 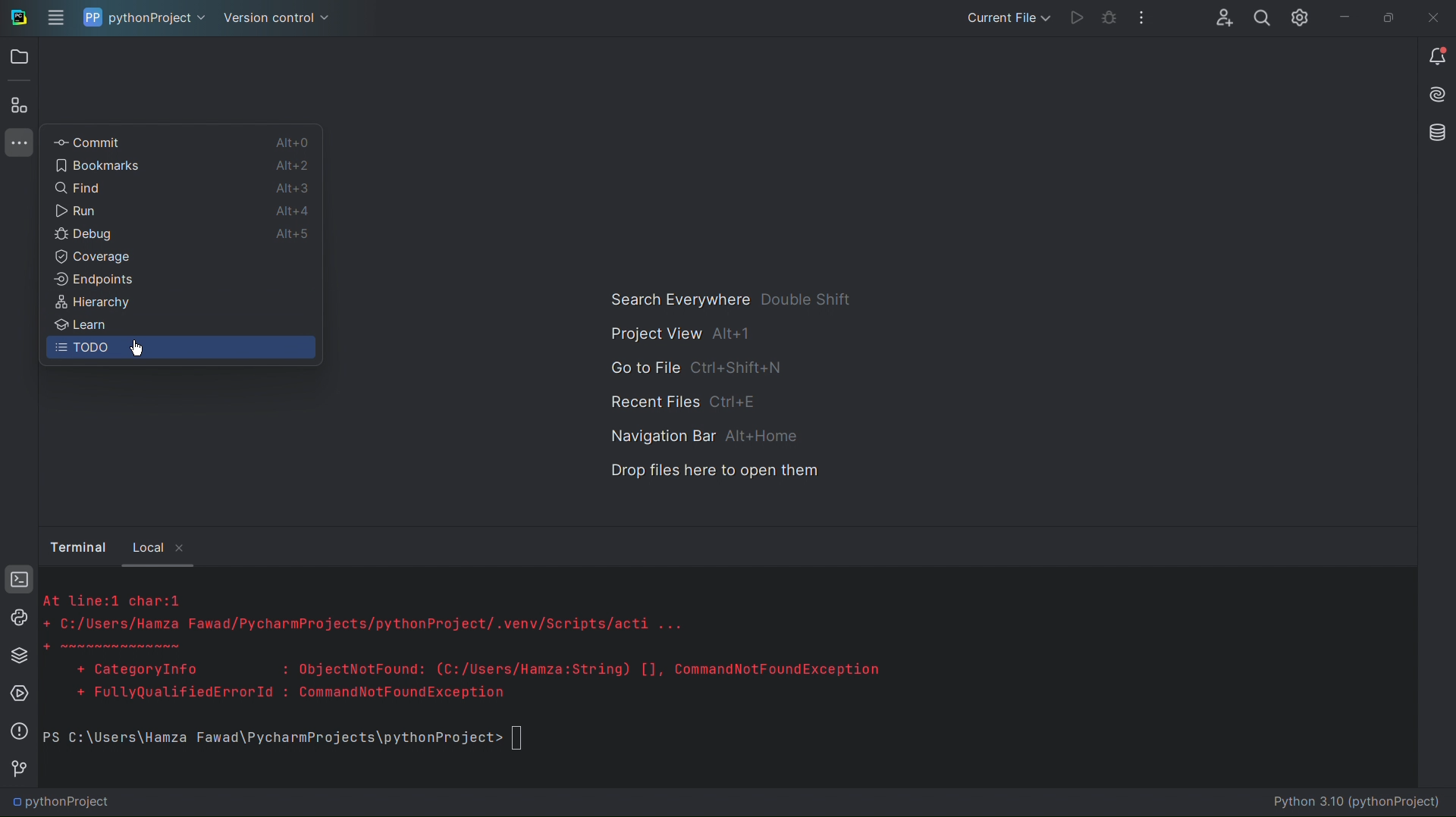 What do you see at coordinates (89, 139) in the screenshot?
I see `Commit` at bounding box center [89, 139].